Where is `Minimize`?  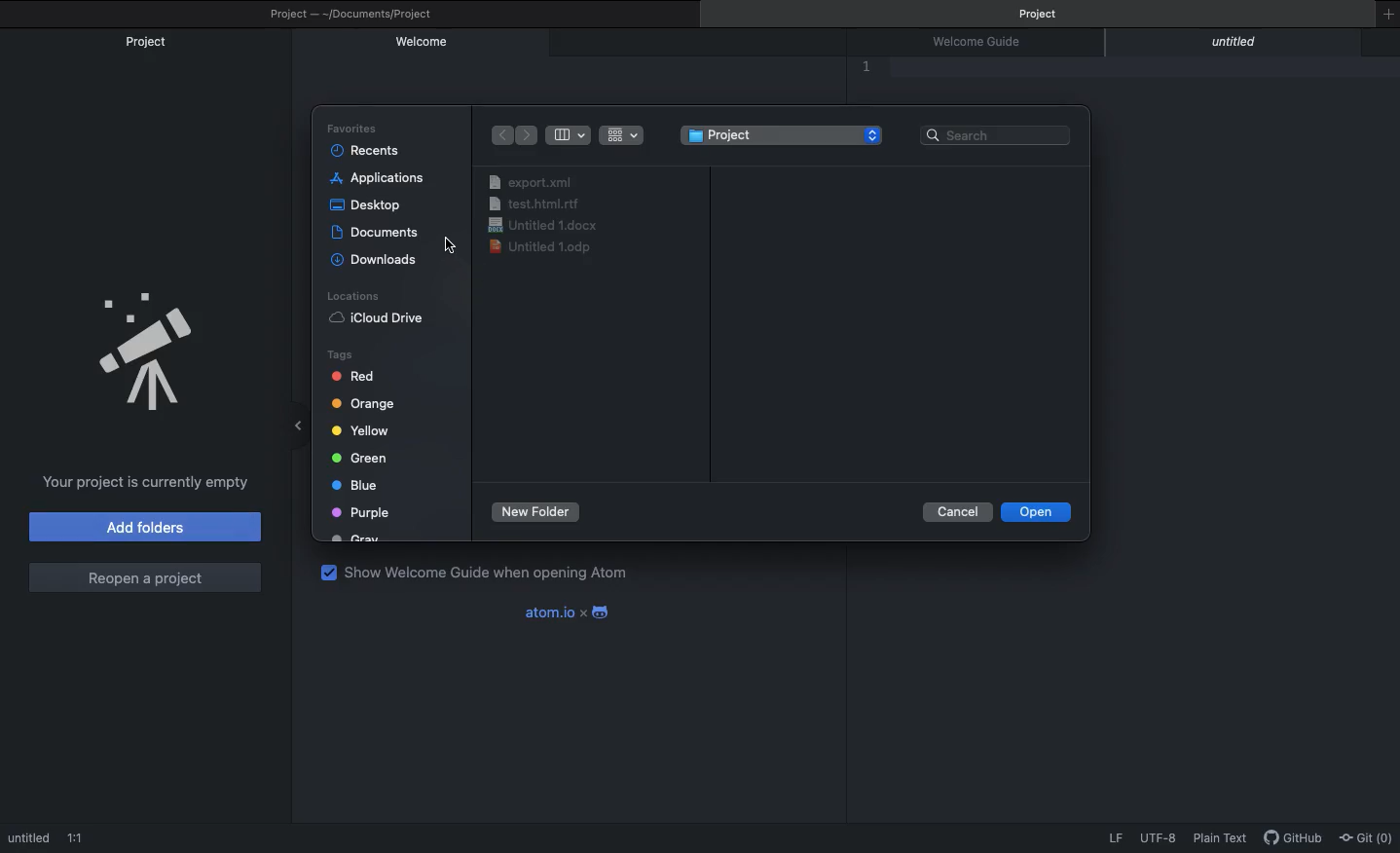
Minimize is located at coordinates (303, 422).